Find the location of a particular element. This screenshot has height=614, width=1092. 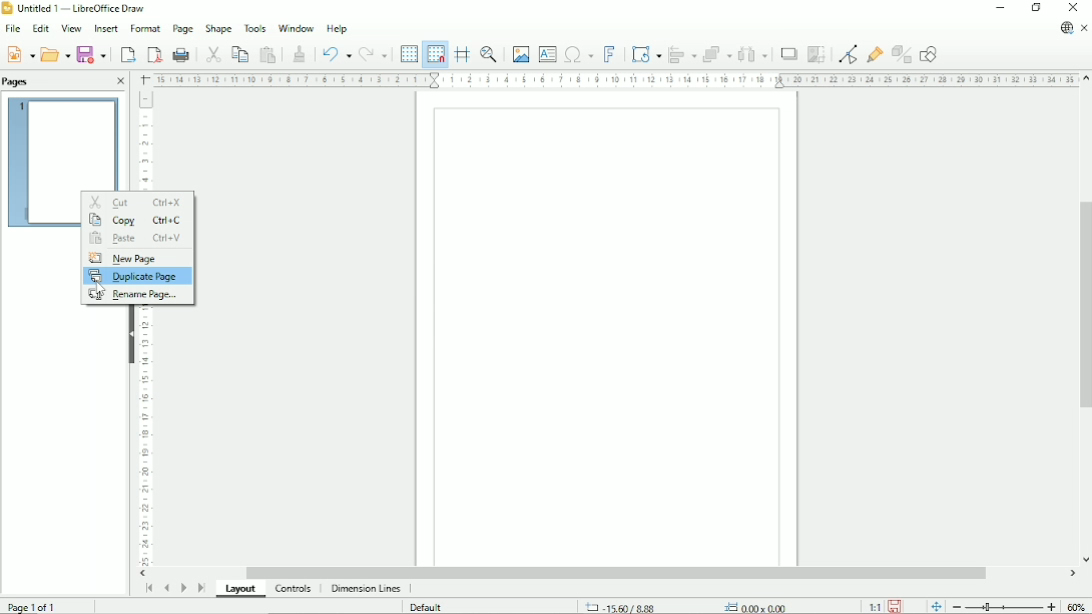

Open is located at coordinates (55, 53).